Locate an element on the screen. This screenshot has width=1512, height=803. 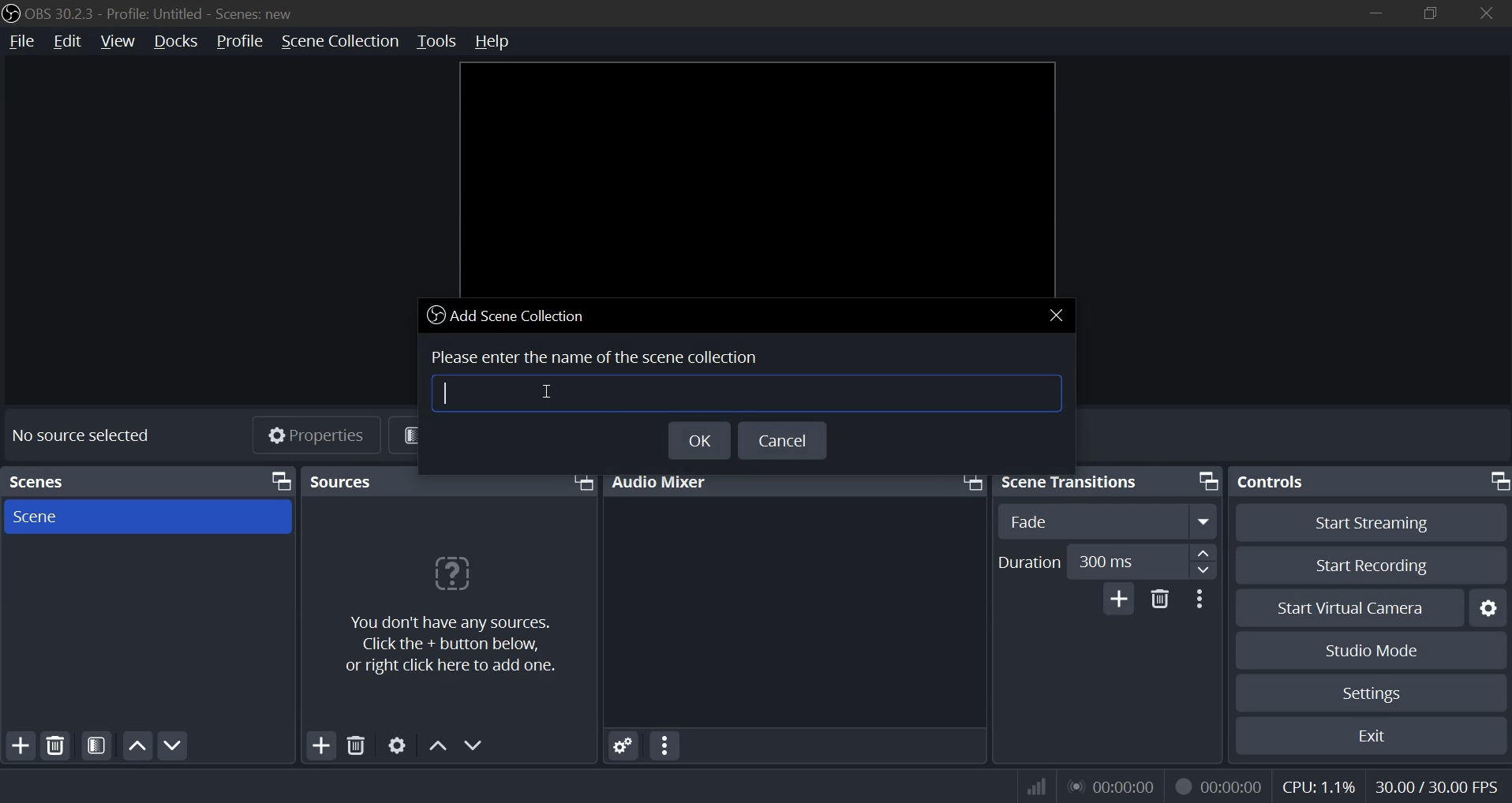
docks is located at coordinates (175, 43).